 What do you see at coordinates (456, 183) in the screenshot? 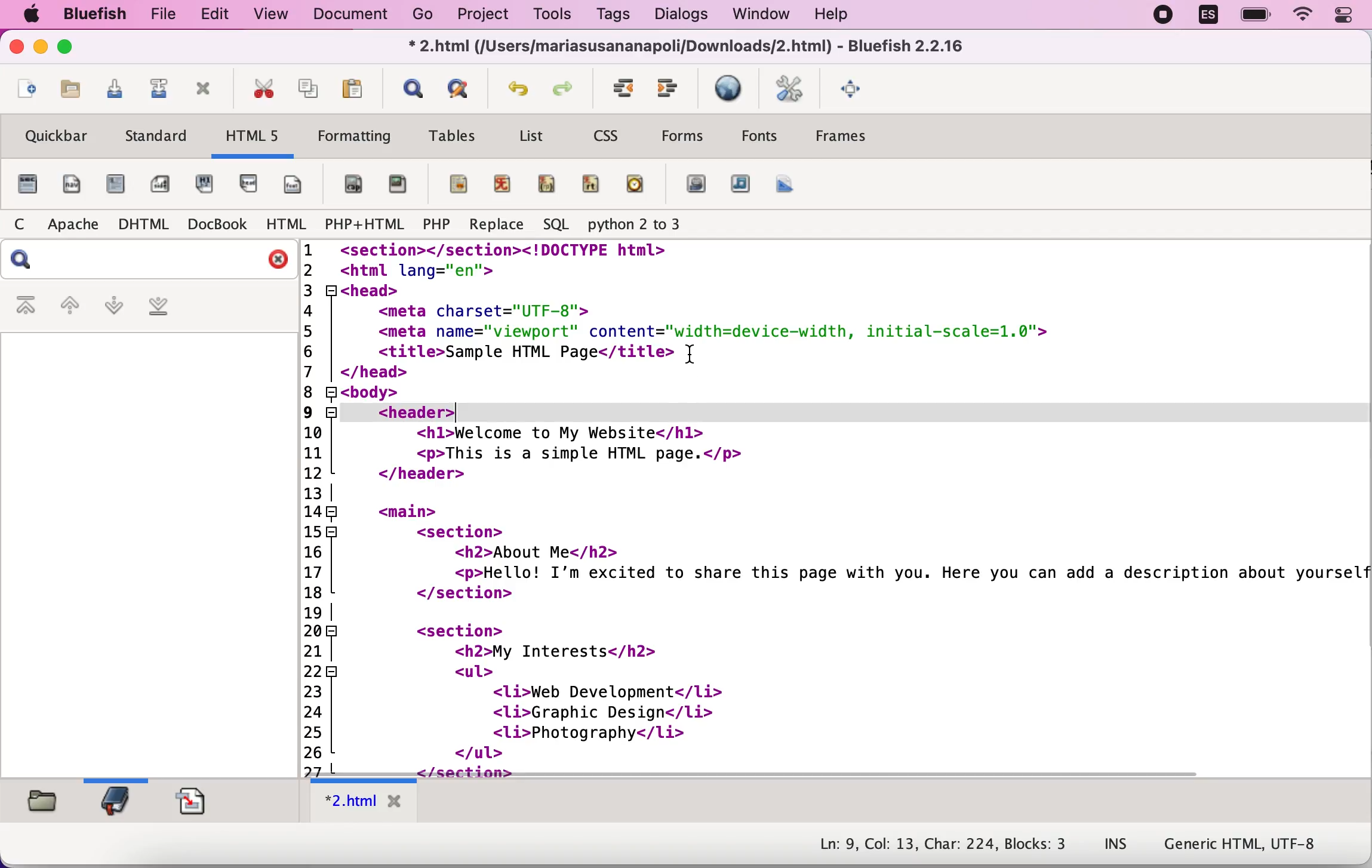
I see `mark` at bounding box center [456, 183].